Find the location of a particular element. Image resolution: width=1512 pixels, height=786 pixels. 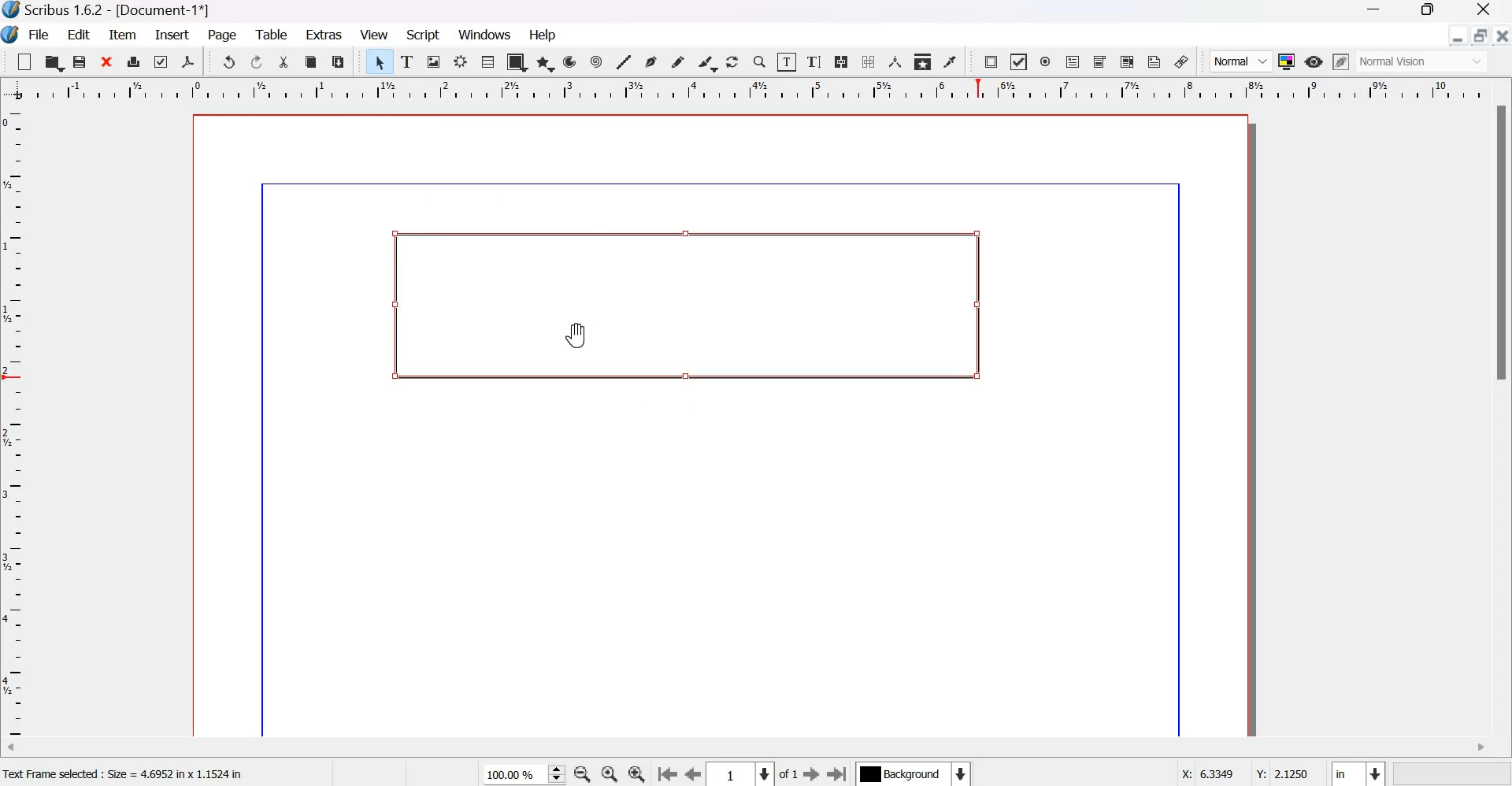

Close is located at coordinates (1484, 11).